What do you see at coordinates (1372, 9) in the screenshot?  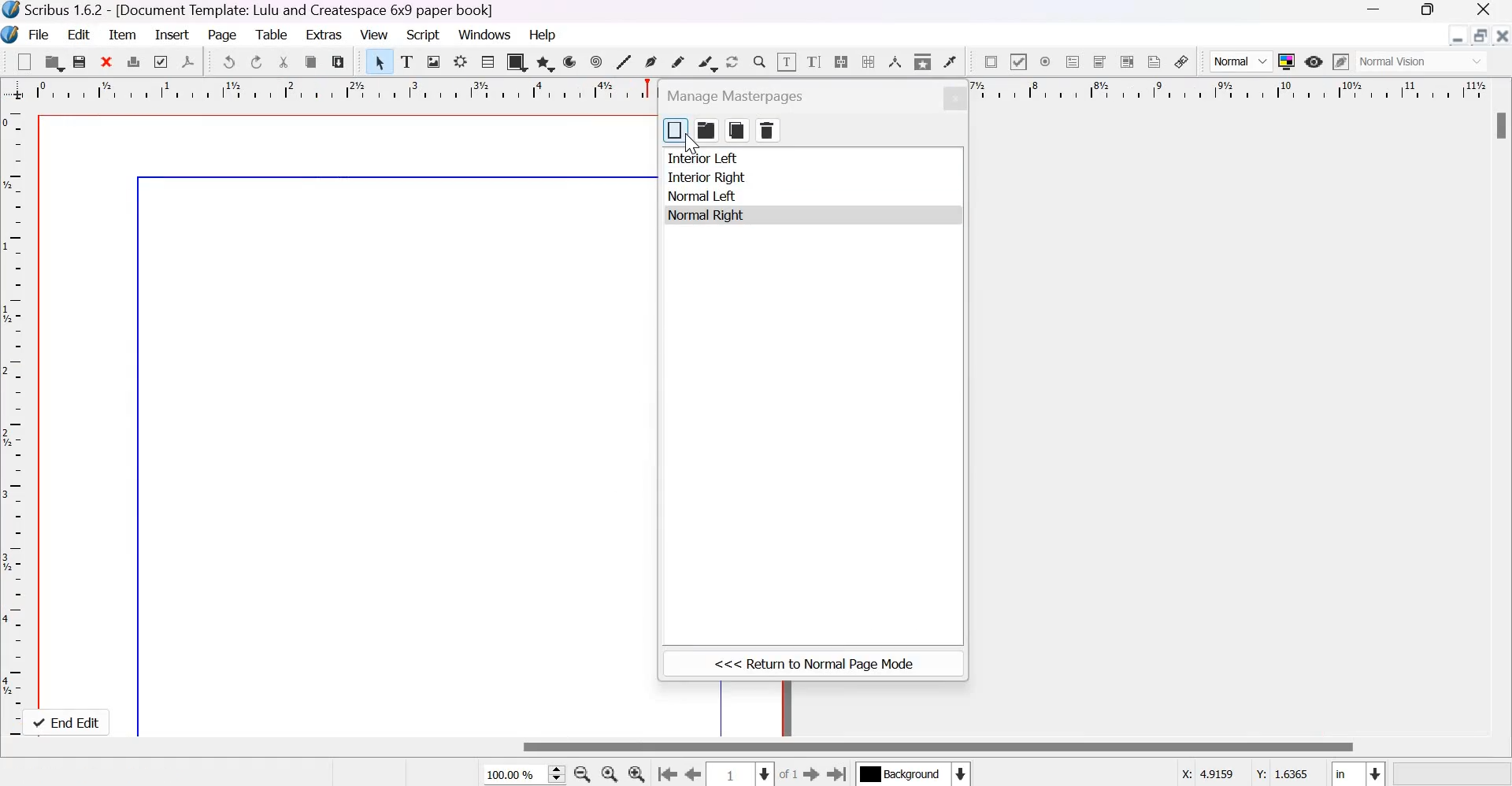 I see `Minimize` at bounding box center [1372, 9].